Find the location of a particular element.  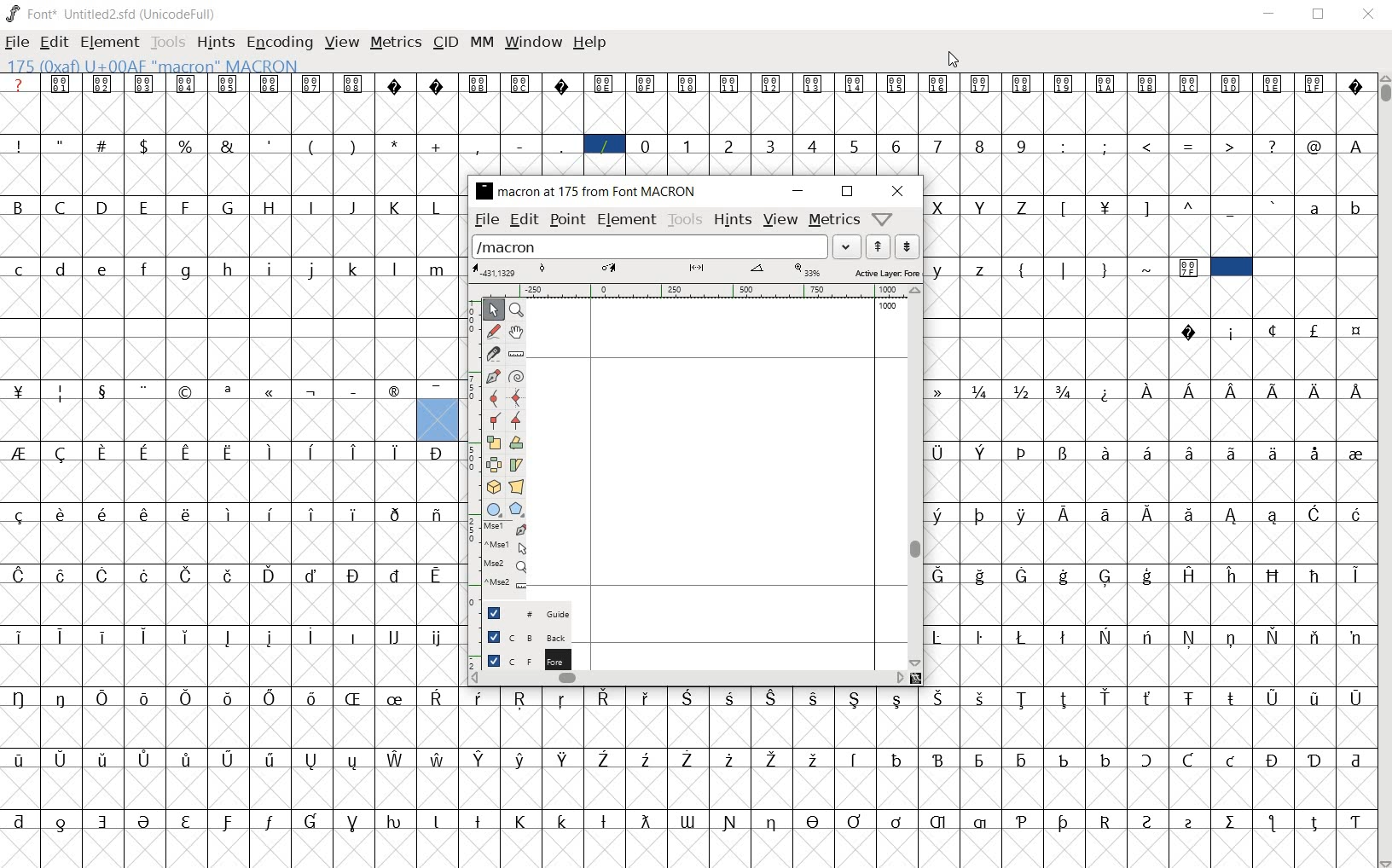

Symbol is located at coordinates (107, 574).